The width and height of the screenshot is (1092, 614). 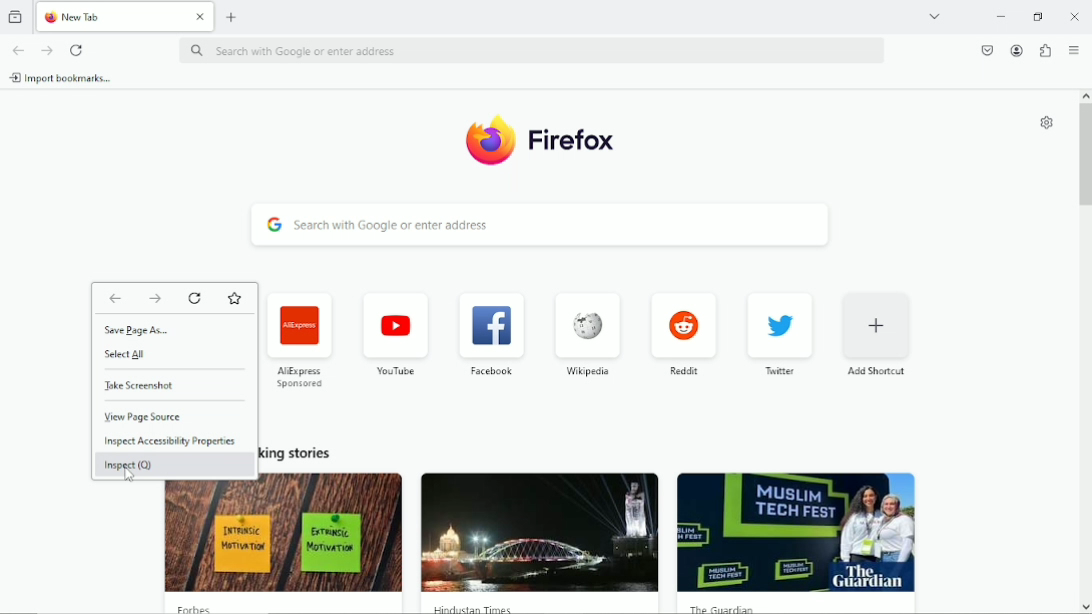 What do you see at coordinates (684, 333) in the screenshot?
I see `Reddit` at bounding box center [684, 333].